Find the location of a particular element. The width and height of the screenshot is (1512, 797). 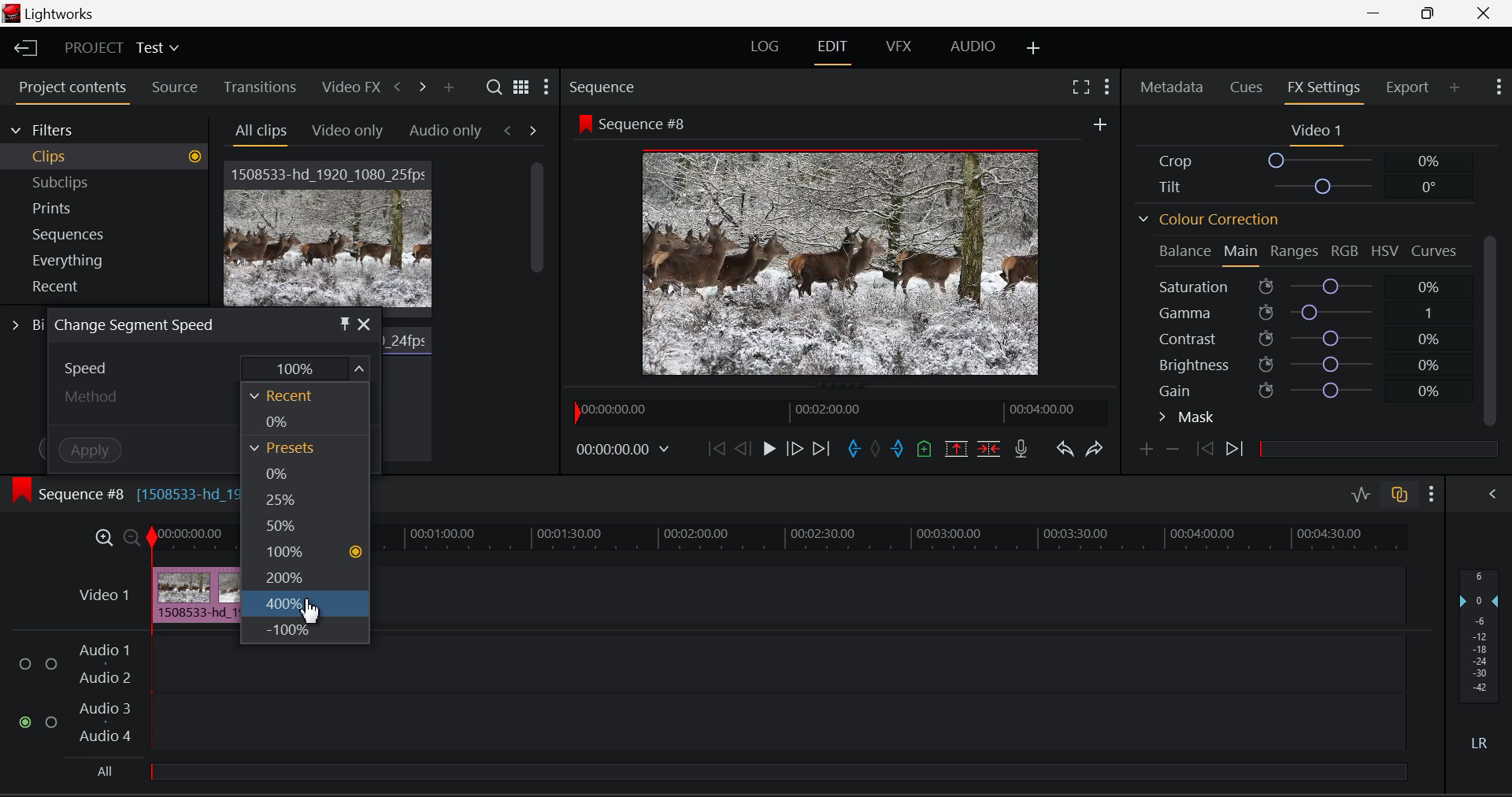

Move Across Tabs is located at coordinates (410, 87).